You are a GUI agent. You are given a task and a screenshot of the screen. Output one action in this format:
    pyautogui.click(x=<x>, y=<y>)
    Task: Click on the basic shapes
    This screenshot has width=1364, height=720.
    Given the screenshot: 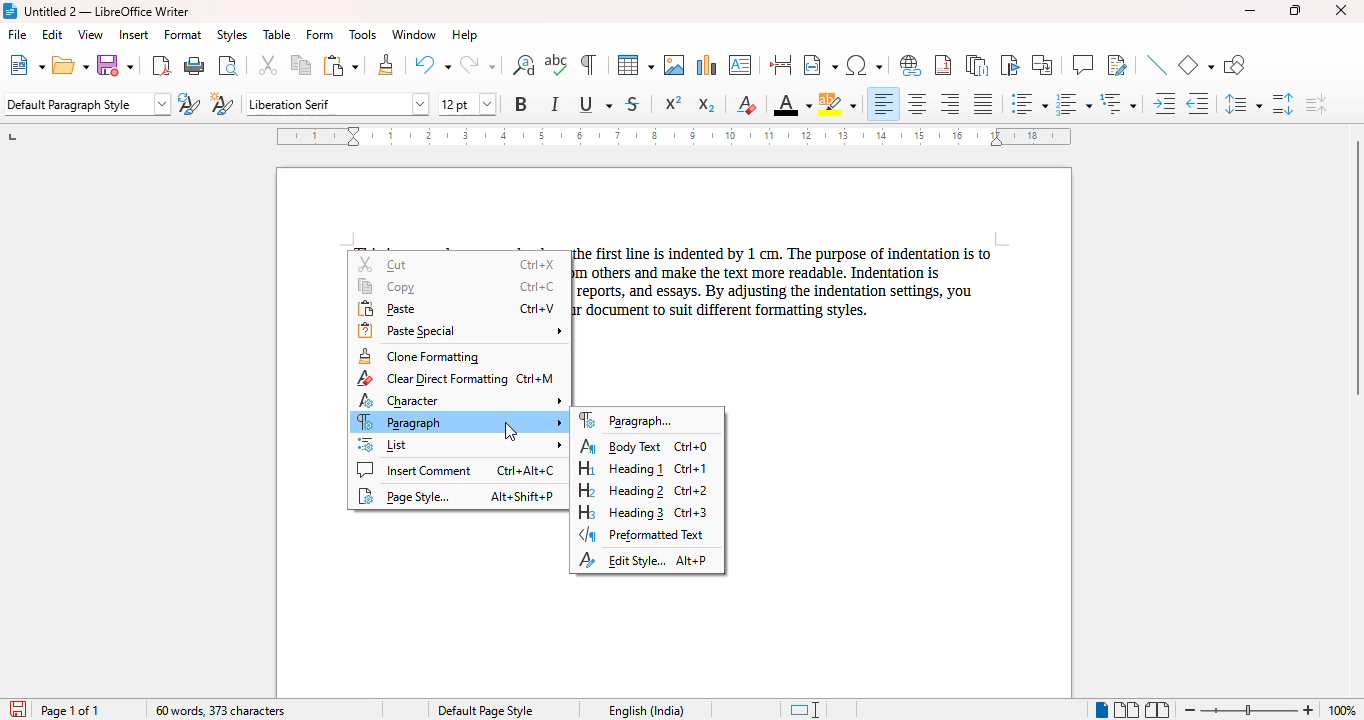 What is the action you would take?
    pyautogui.click(x=1196, y=65)
    